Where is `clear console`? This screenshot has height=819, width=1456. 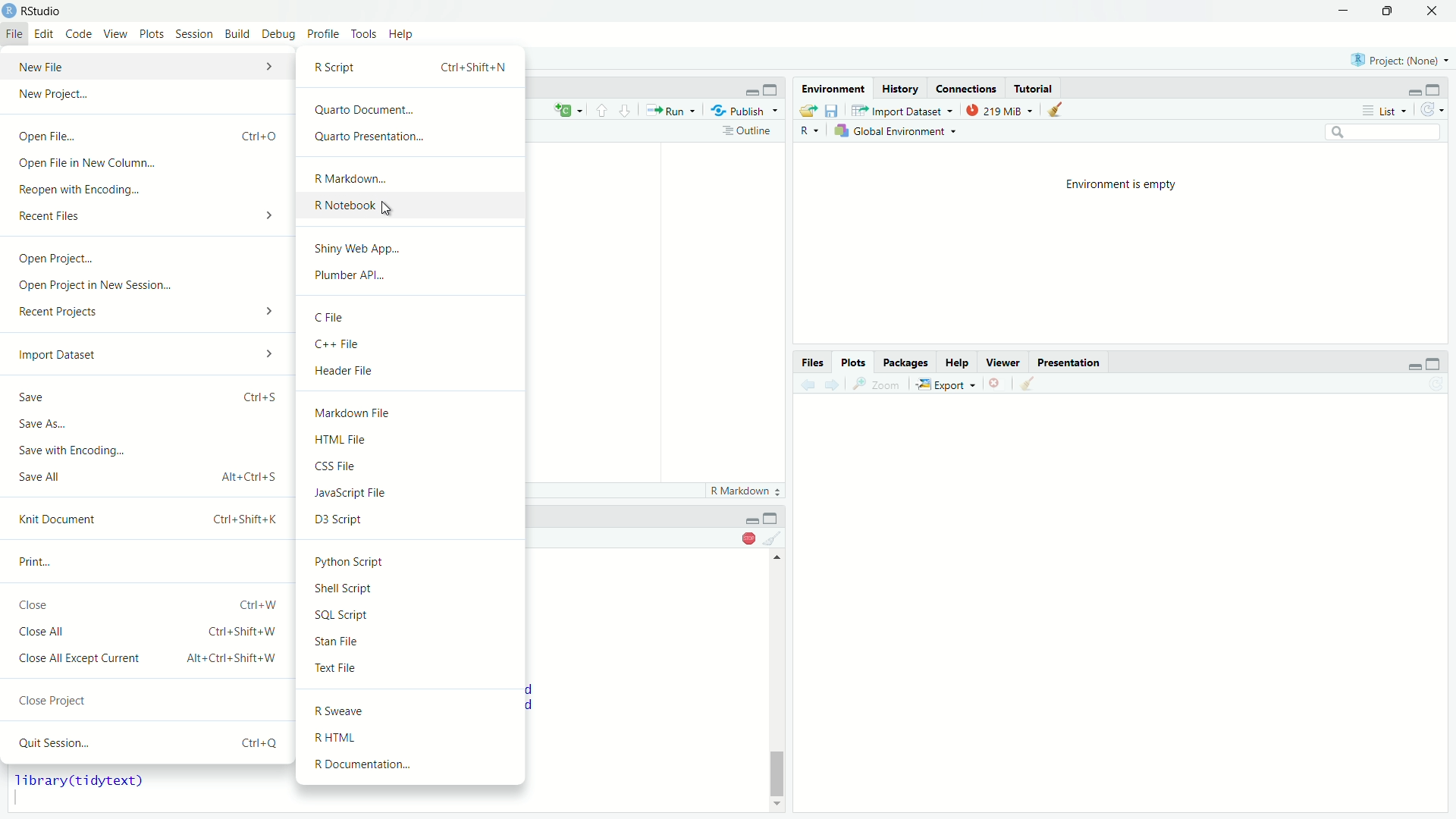
clear console is located at coordinates (774, 537).